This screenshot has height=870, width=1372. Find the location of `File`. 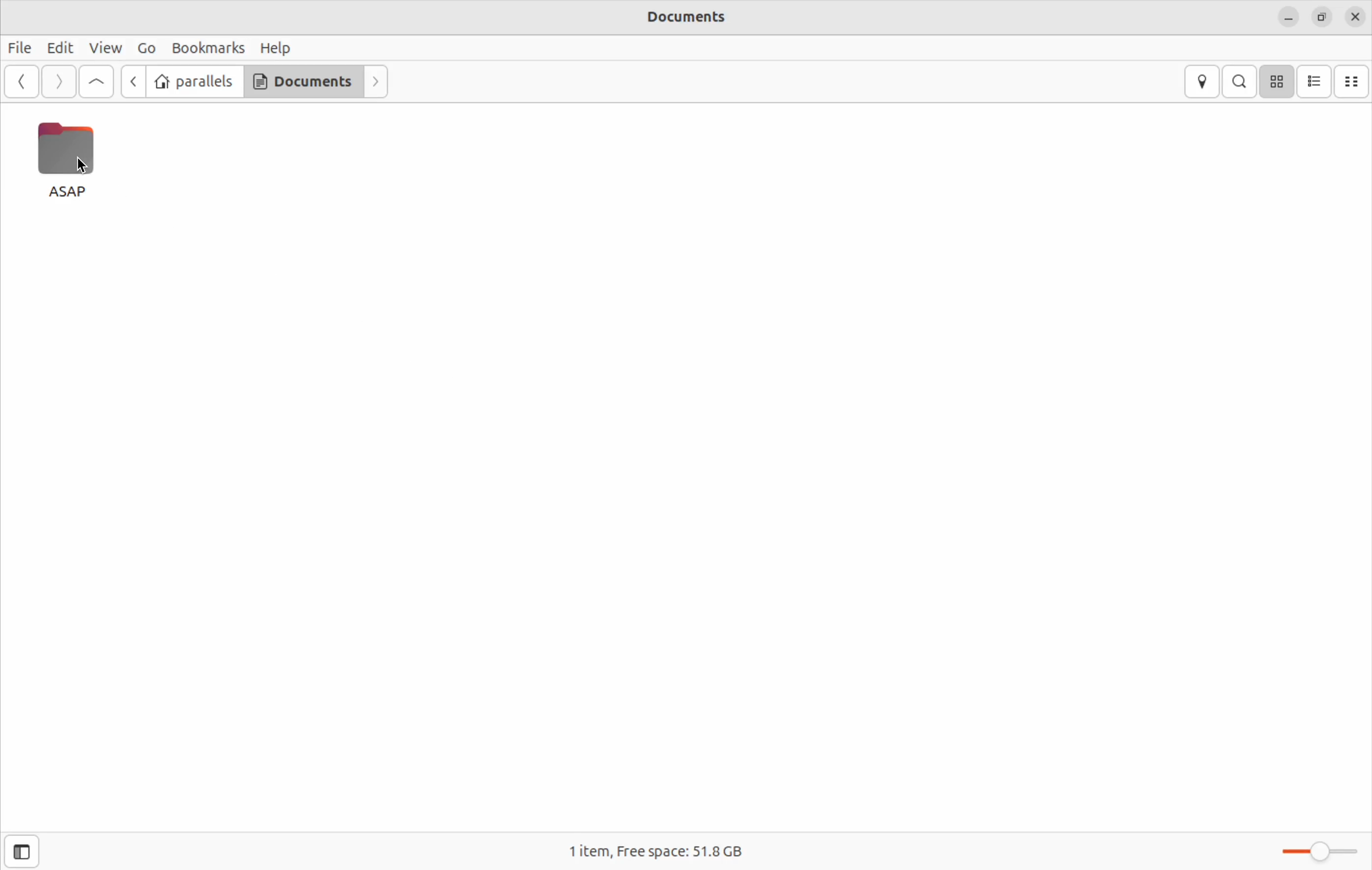

File is located at coordinates (21, 49).